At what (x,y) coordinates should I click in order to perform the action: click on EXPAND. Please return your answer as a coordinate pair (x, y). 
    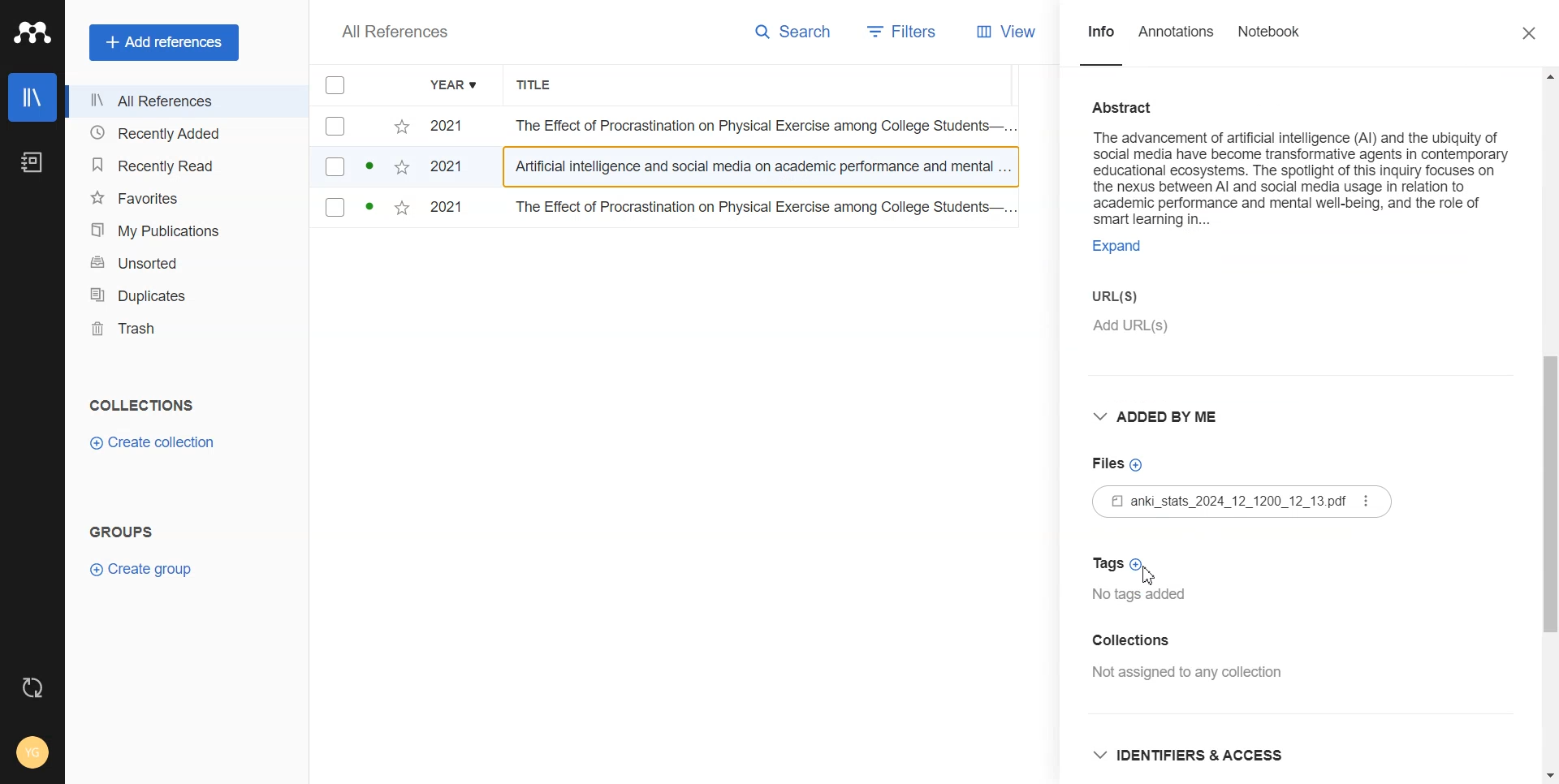
    Looking at the image, I should click on (1125, 248).